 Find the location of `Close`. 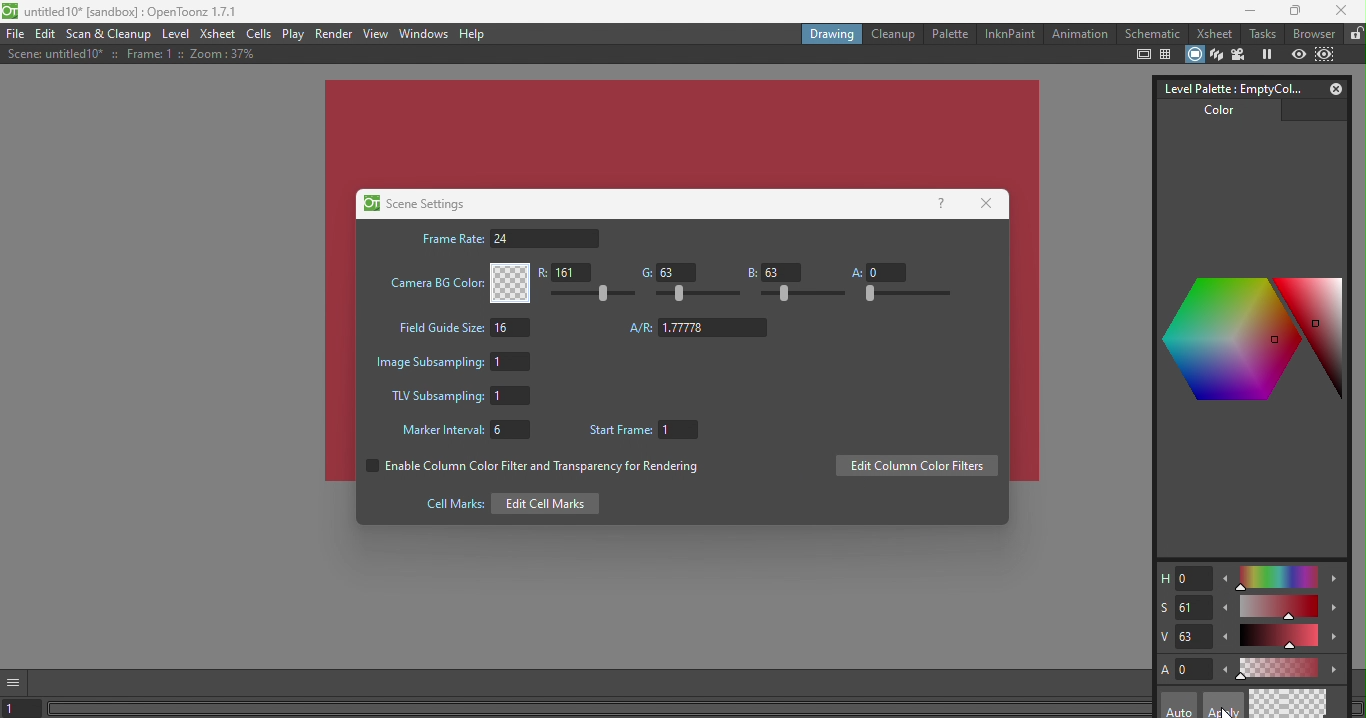

Close is located at coordinates (1332, 88).